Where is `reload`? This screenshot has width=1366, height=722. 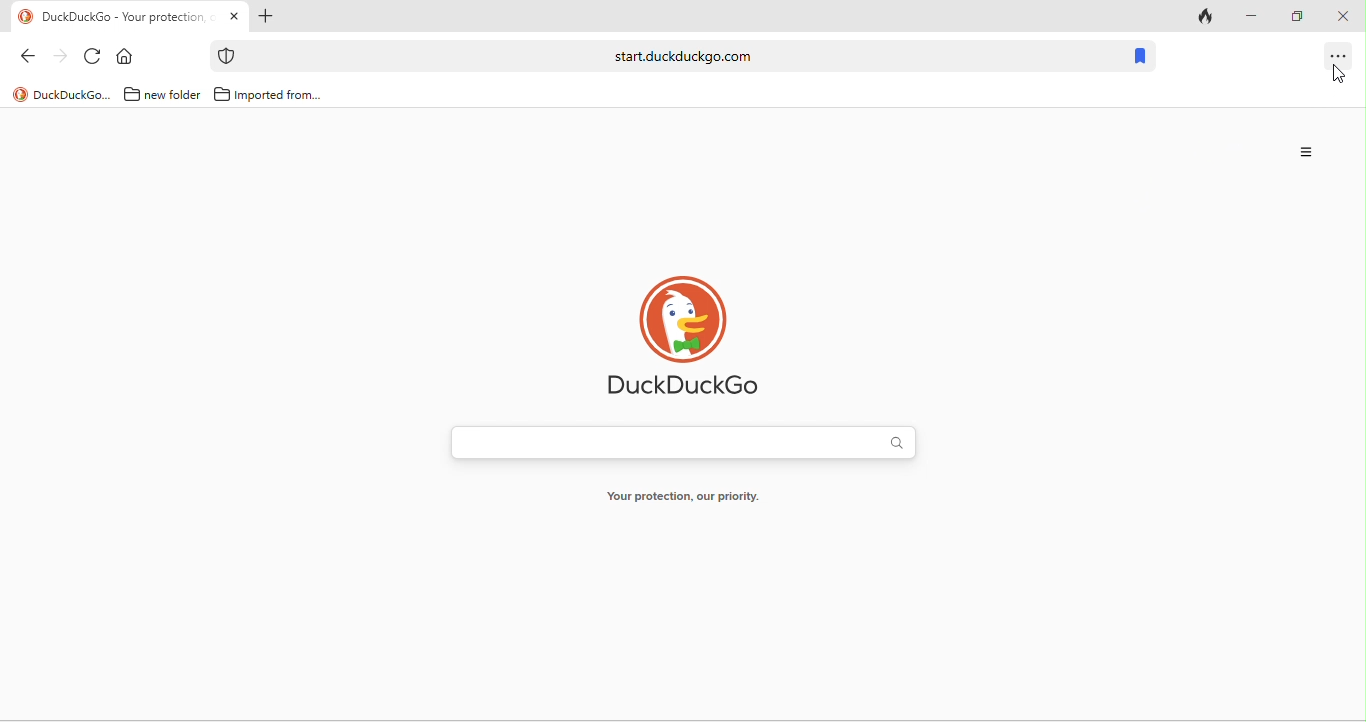
reload is located at coordinates (94, 58).